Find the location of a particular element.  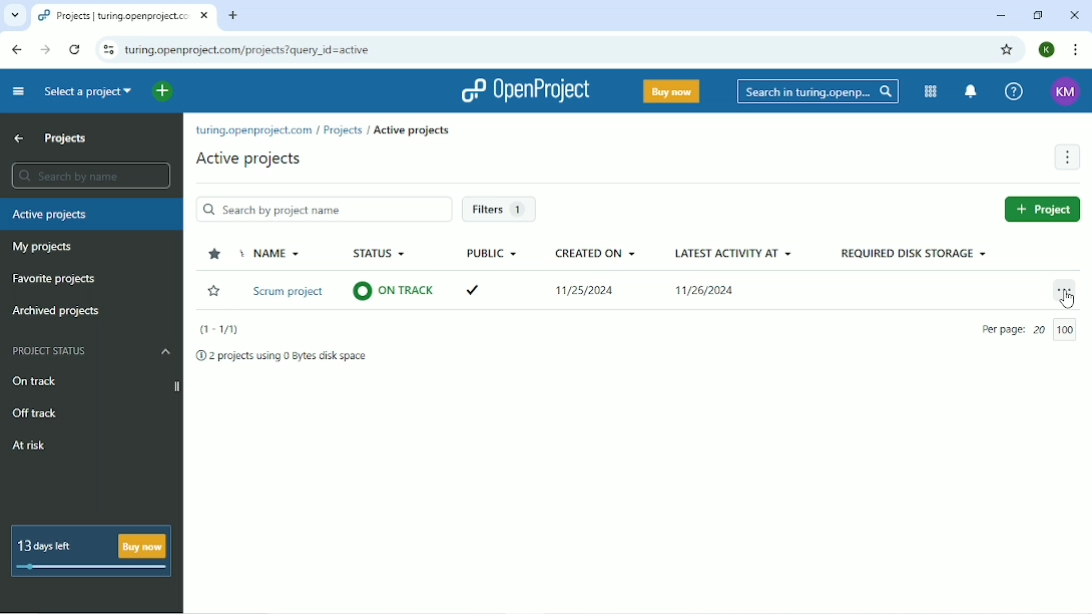

More is located at coordinates (1066, 157).